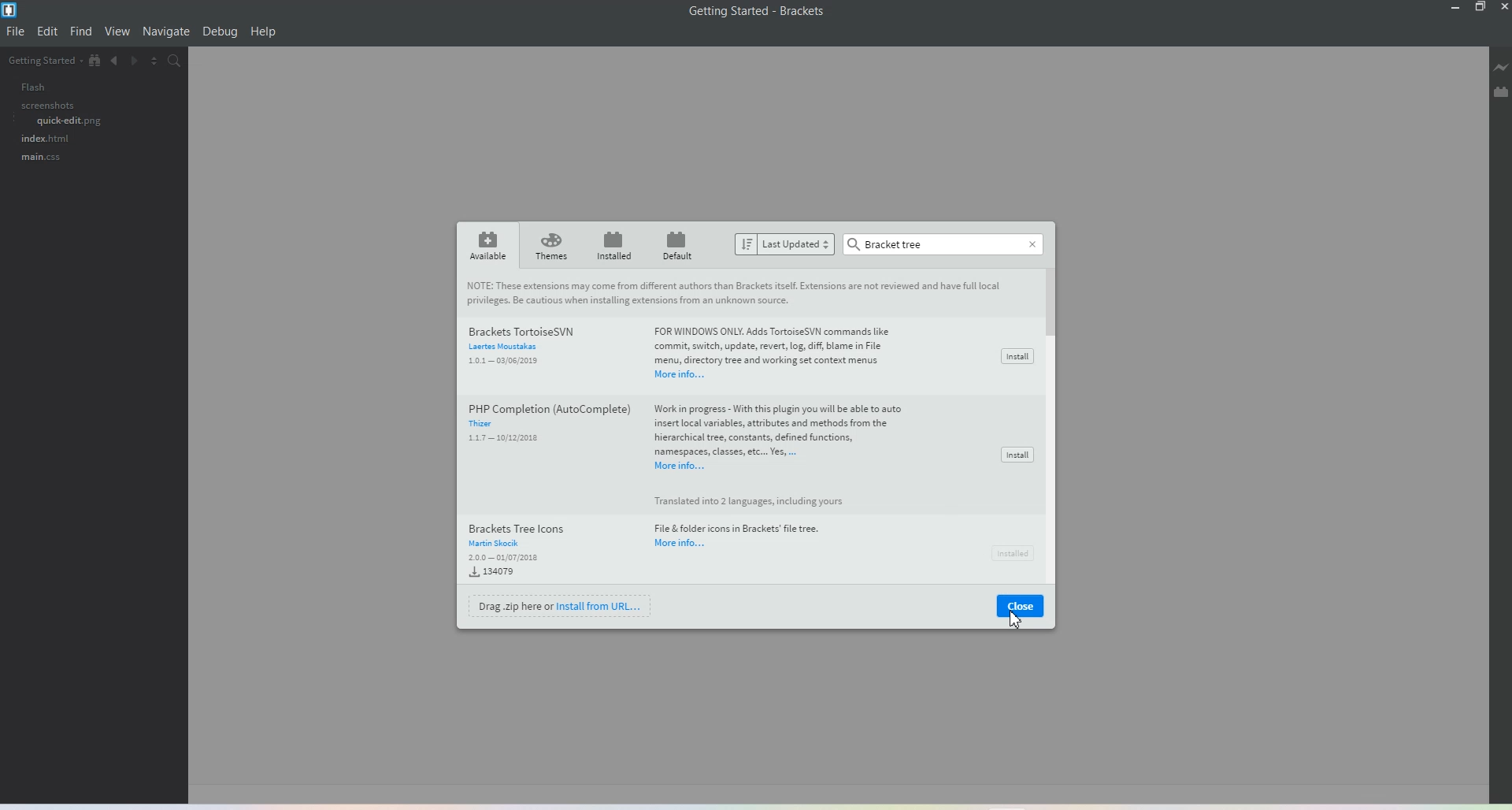 Image resolution: width=1512 pixels, height=810 pixels. What do you see at coordinates (552, 246) in the screenshot?
I see `Theme` at bounding box center [552, 246].